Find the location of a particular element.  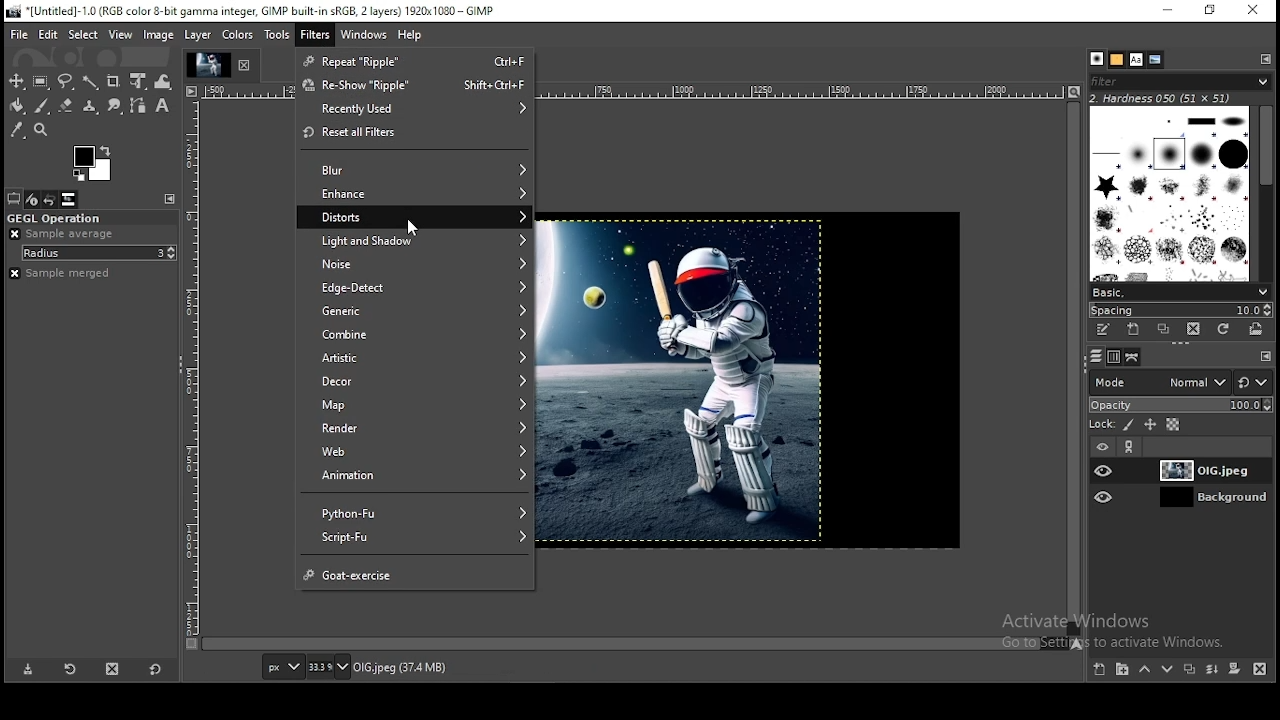

crop is located at coordinates (115, 81).